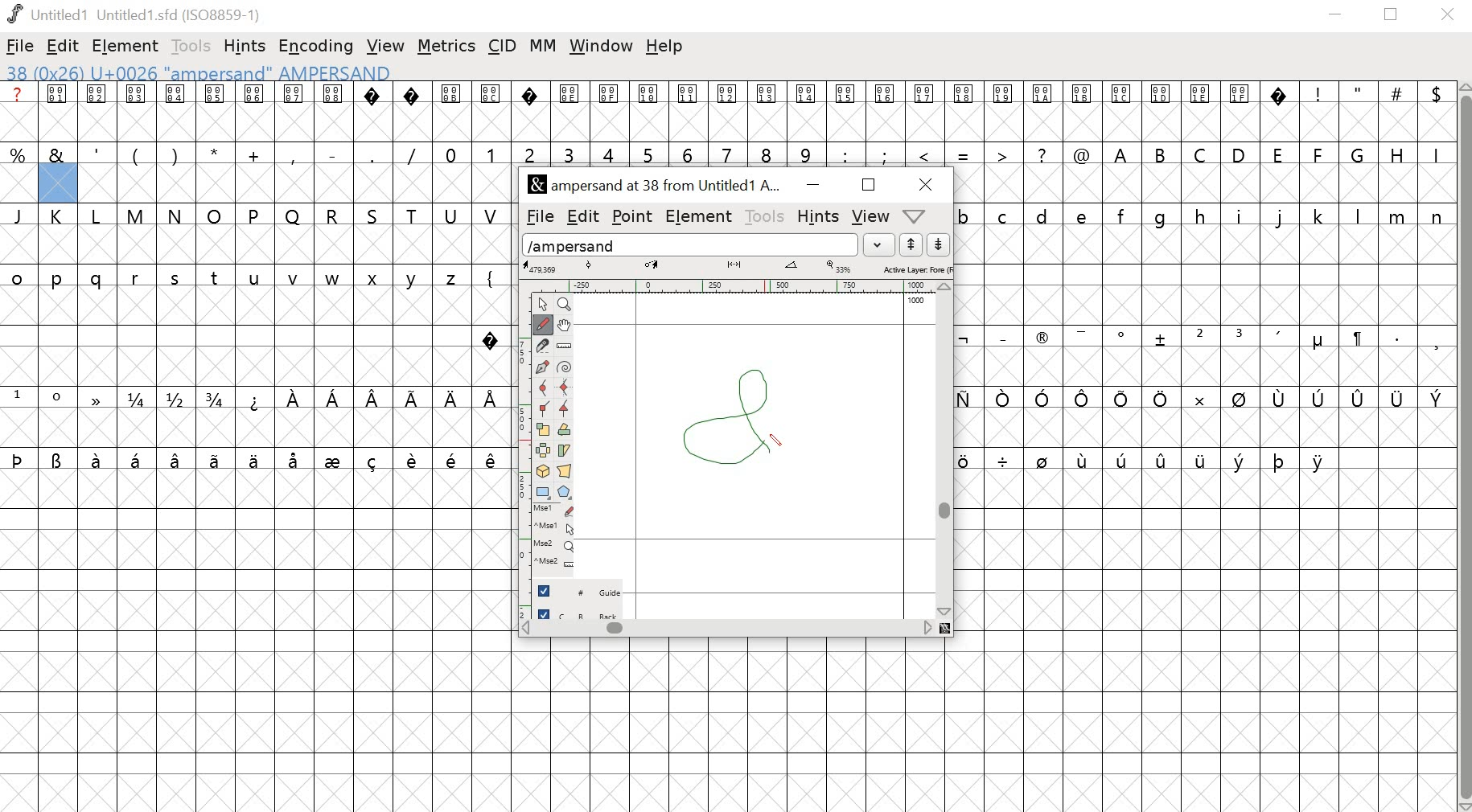 The width and height of the screenshot is (1472, 812). What do you see at coordinates (886, 110) in the screenshot?
I see `0016` at bounding box center [886, 110].